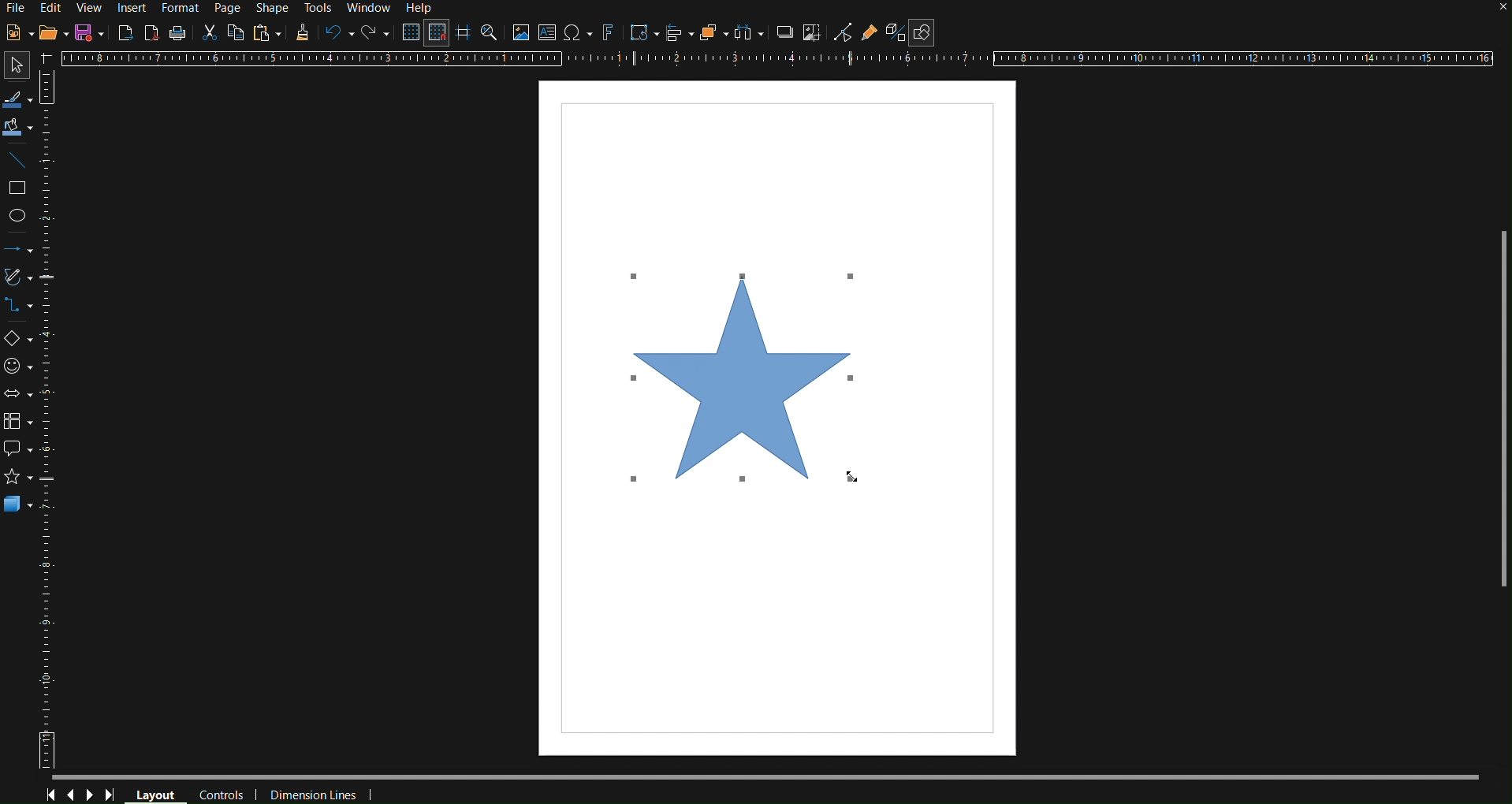 This screenshot has width=1512, height=804. Describe the element at coordinates (181, 7) in the screenshot. I see `Format` at that location.